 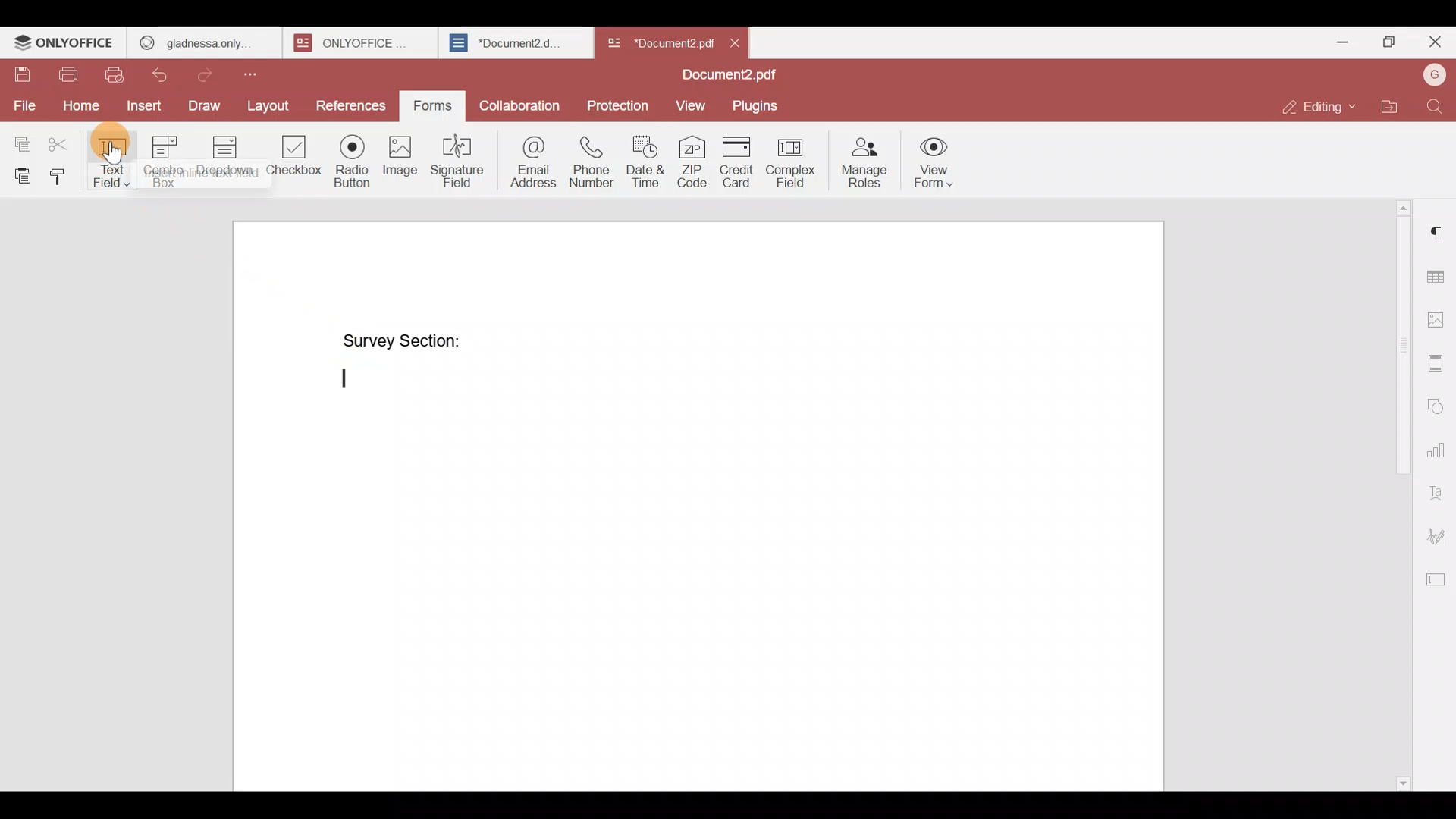 I want to click on Draw, so click(x=204, y=105).